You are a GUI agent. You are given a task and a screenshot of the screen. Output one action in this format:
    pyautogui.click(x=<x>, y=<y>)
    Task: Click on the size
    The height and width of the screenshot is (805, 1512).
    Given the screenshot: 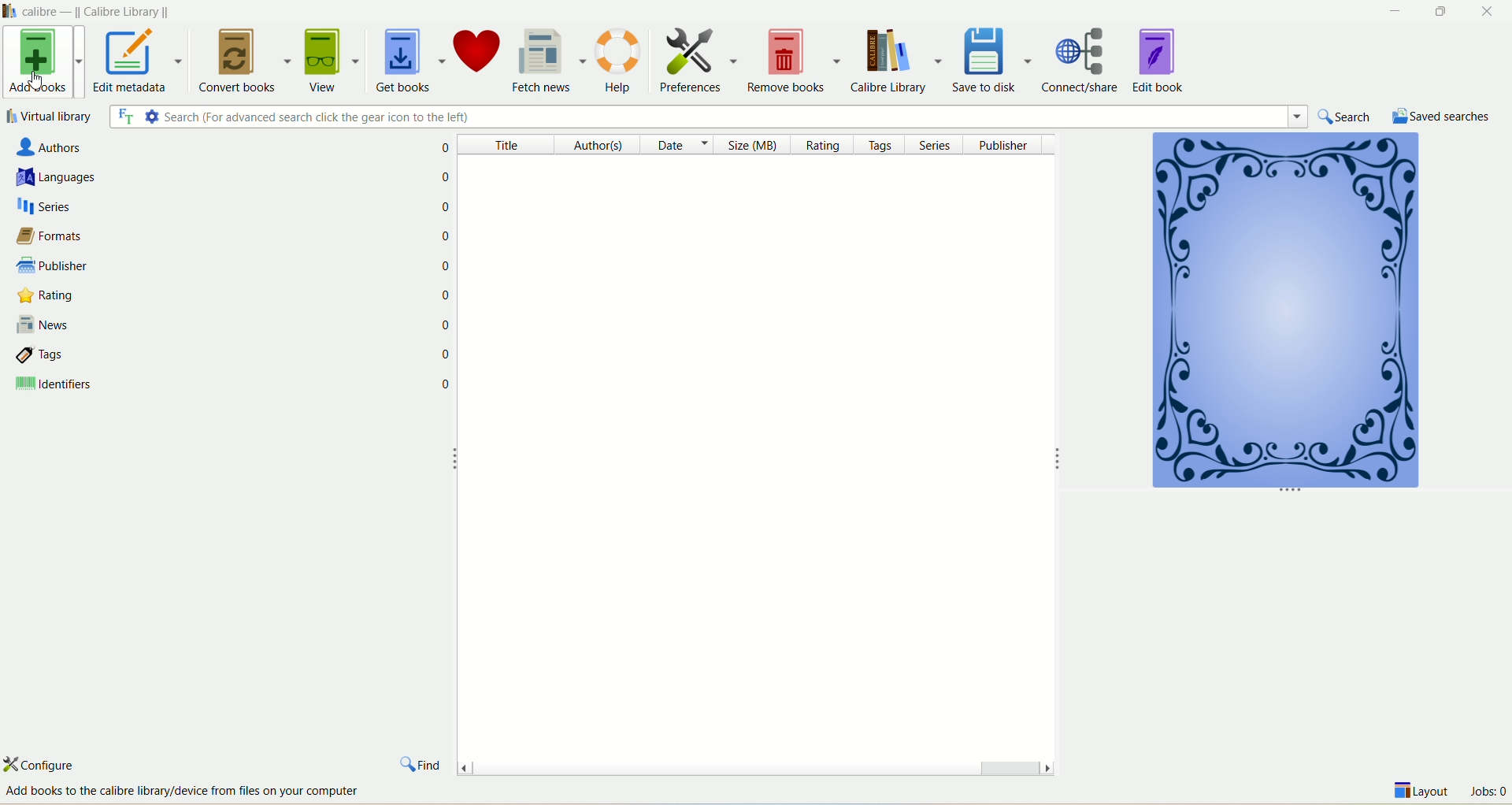 What is the action you would take?
    pyautogui.click(x=758, y=146)
    